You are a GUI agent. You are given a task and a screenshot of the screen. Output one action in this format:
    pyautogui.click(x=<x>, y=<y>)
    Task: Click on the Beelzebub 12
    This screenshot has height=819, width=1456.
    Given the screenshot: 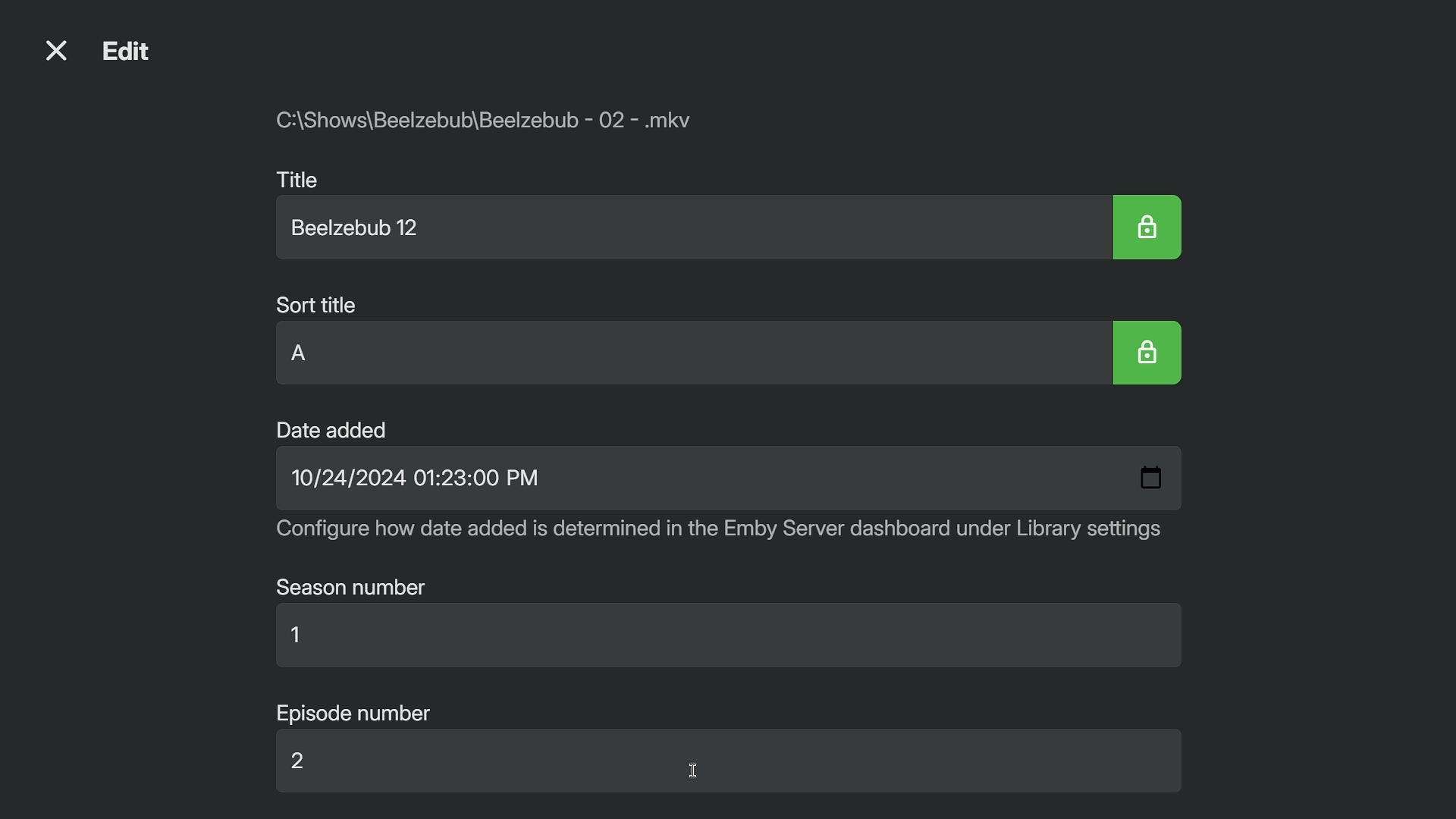 What is the action you would take?
    pyautogui.click(x=366, y=229)
    